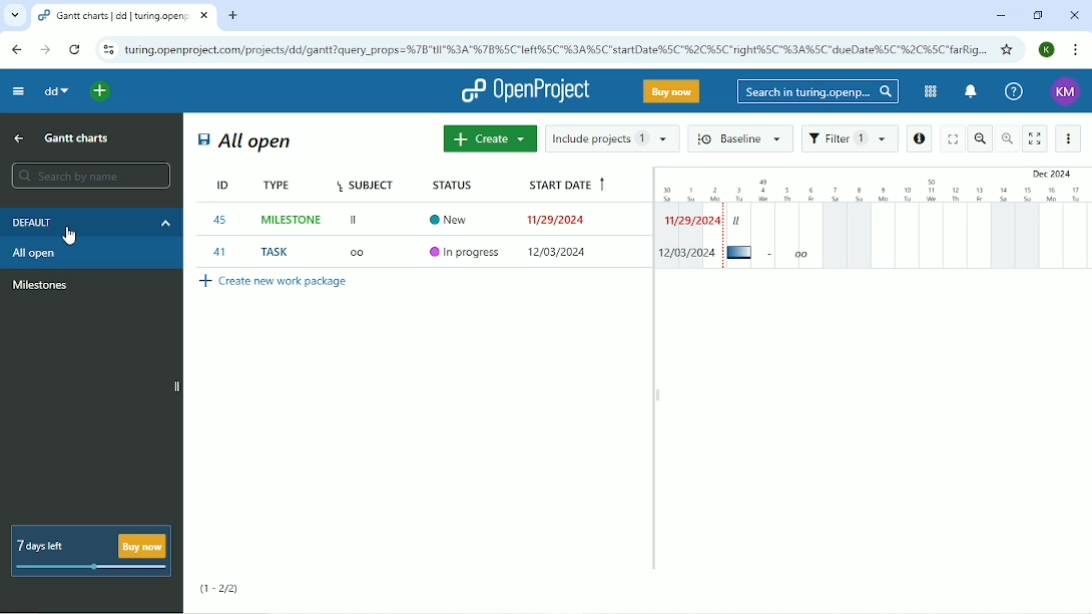 The image size is (1092, 614). I want to click on Filter, so click(850, 139).